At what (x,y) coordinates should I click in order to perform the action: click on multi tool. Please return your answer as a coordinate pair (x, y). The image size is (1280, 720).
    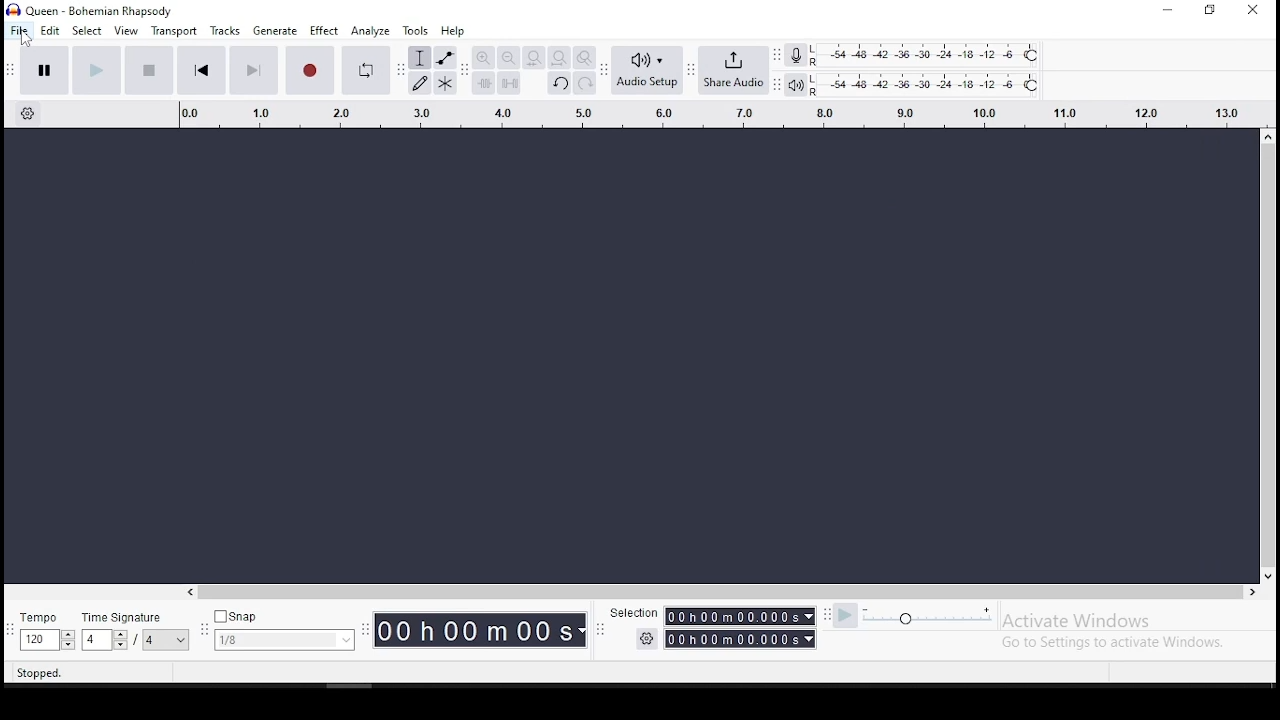
    Looking at the image, I should click on (446, 84).